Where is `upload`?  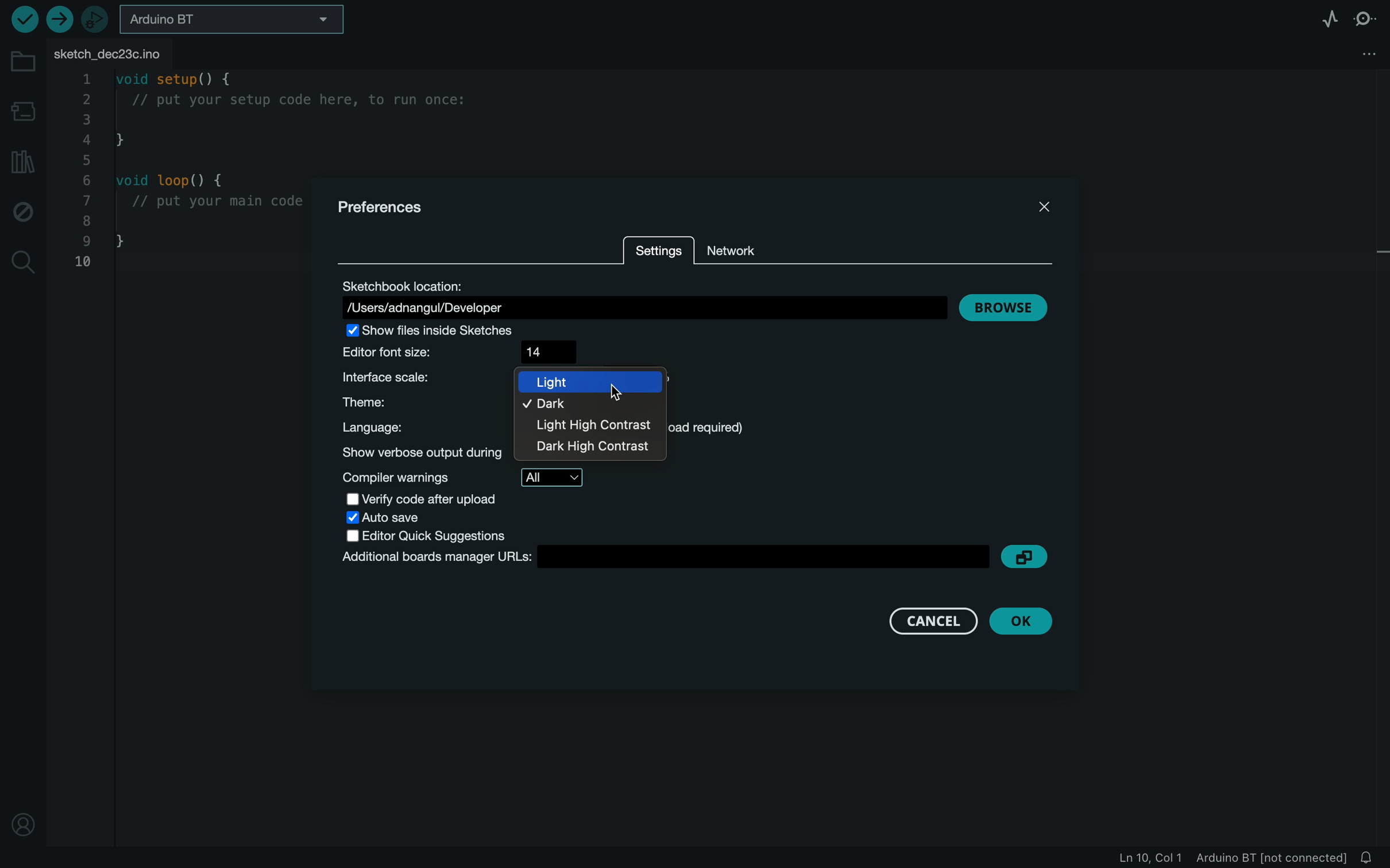 upload is located at coordinates (59, 18).